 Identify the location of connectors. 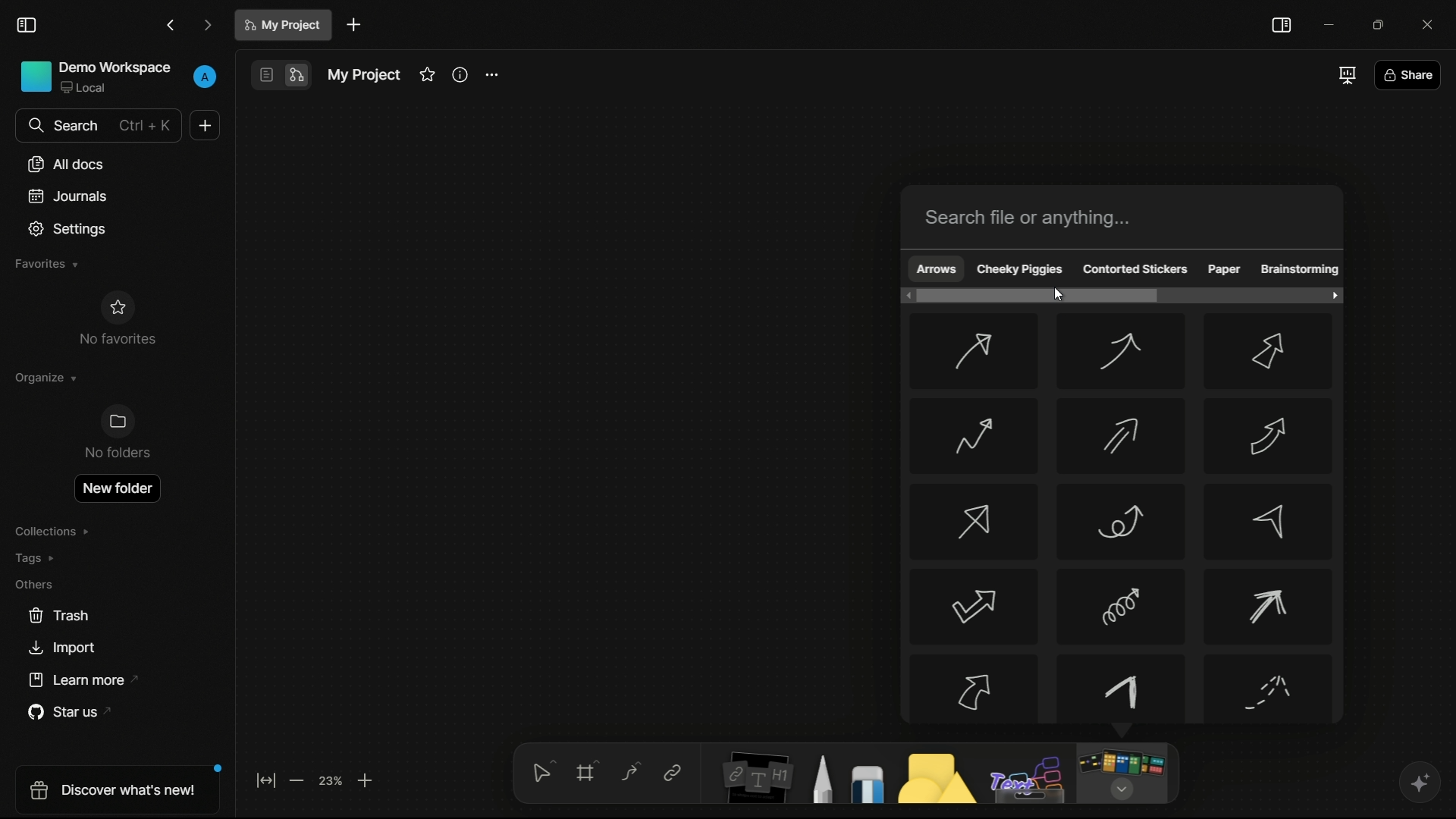
(630, 773).